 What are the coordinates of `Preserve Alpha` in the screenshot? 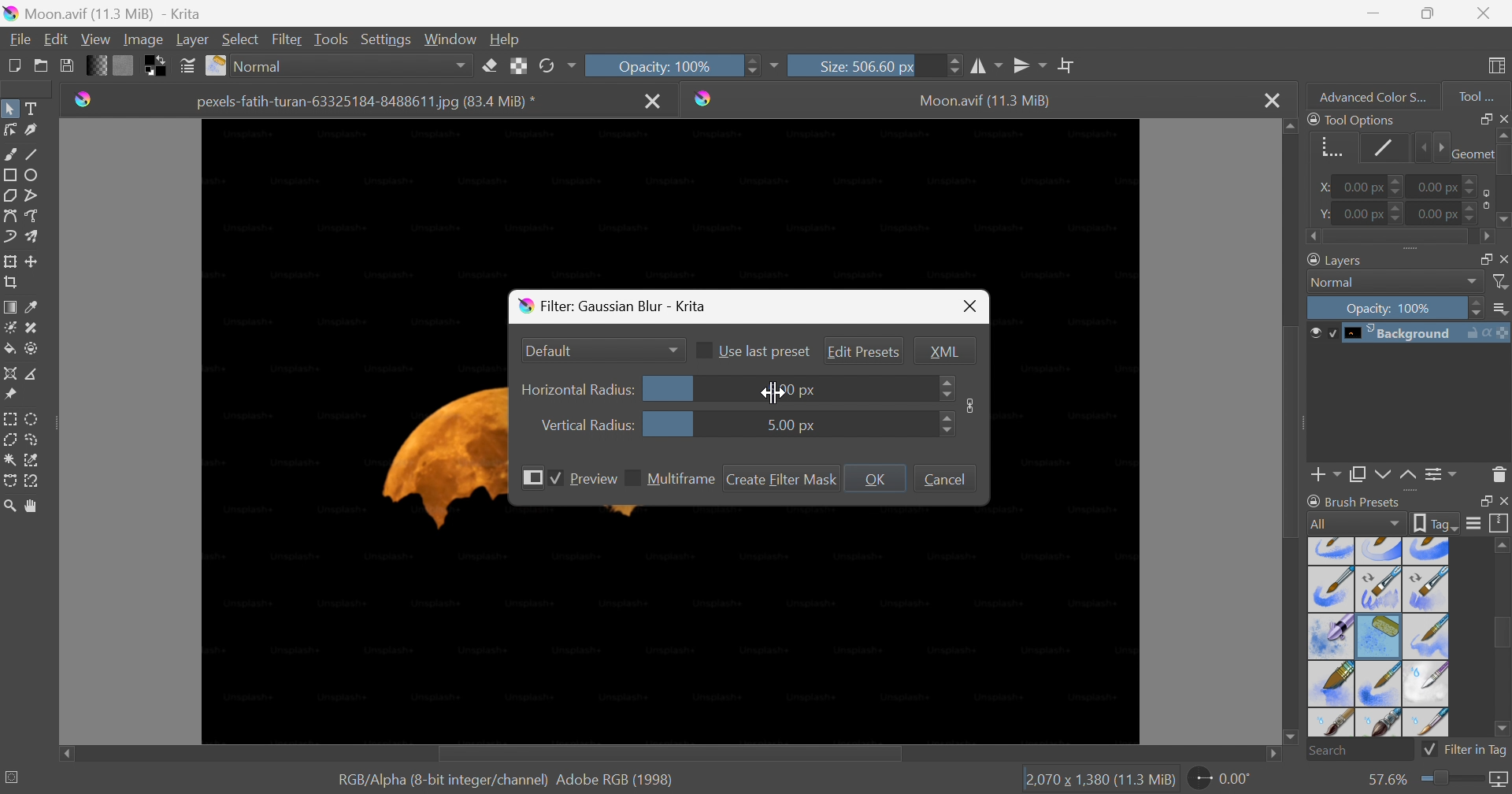 It's located at (516, 67).